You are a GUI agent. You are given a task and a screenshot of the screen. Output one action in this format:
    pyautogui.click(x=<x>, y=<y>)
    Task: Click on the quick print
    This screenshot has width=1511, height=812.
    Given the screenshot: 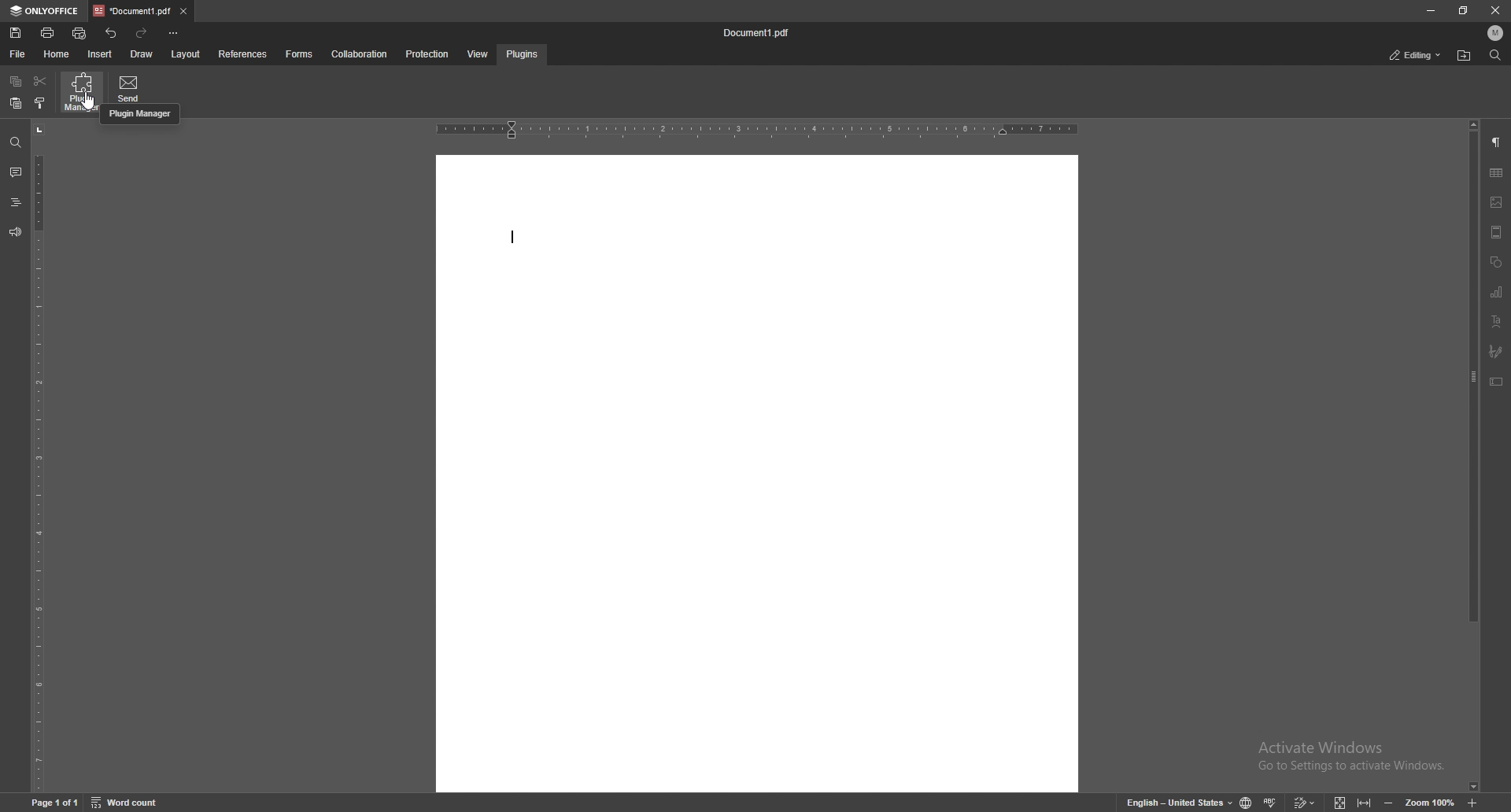 What is the action you would take?
    pyautogui.click(x=79, y=33)
    